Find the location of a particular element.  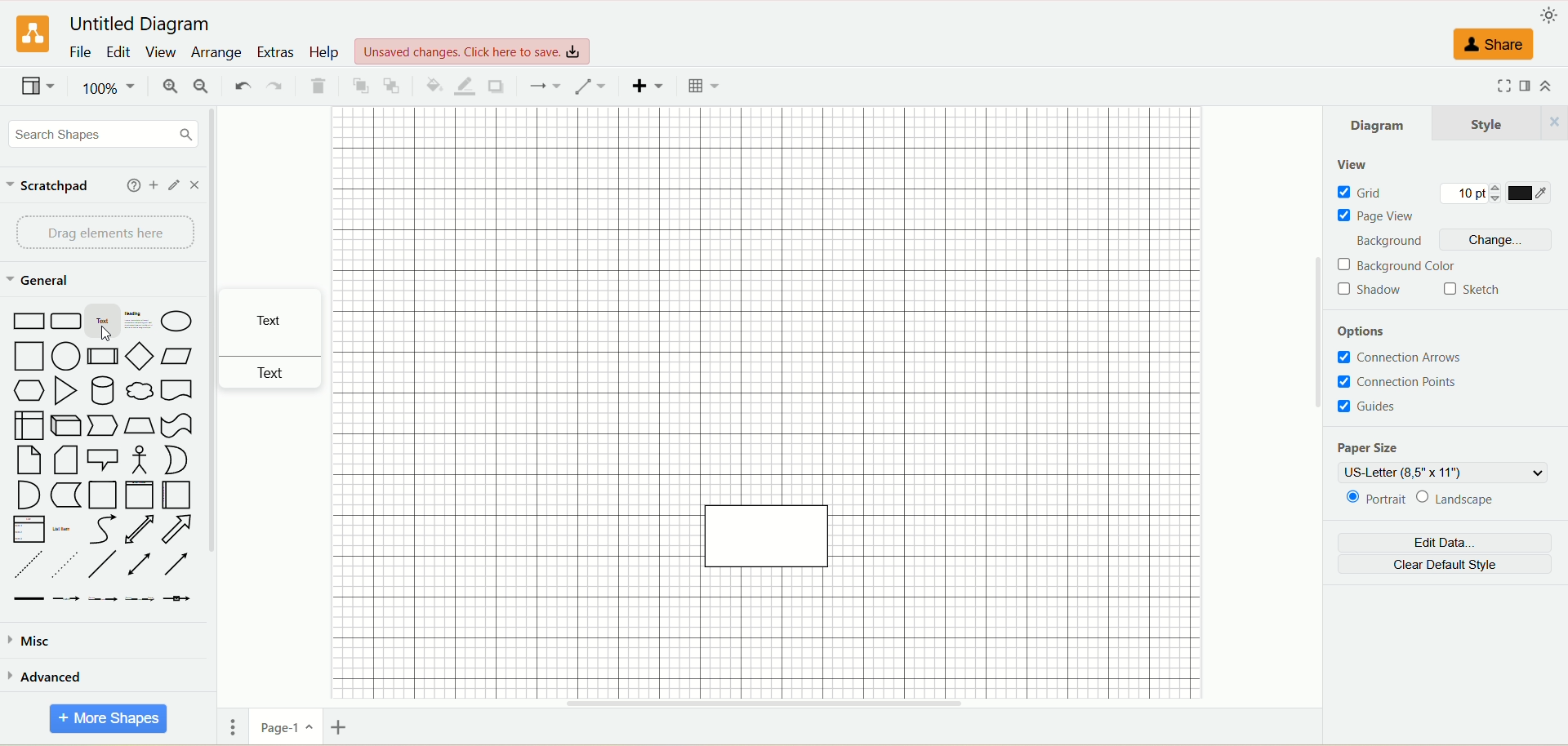

color is located at coordinates (1531, 192).